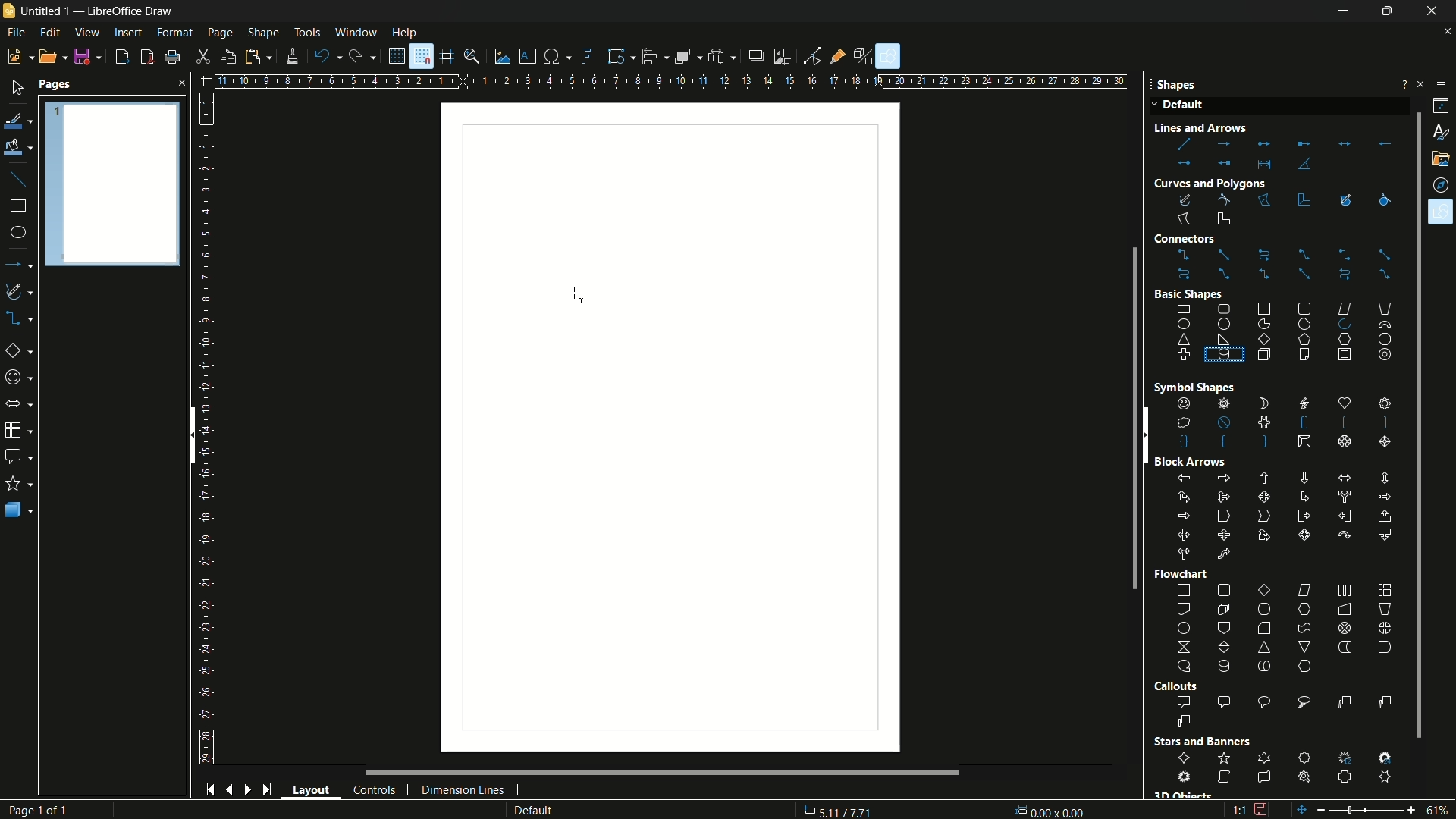 This screenshot has width=1456, height=819. Describe the element at coordinates (266, 791) in the screenshot. I see `end page` at that location.